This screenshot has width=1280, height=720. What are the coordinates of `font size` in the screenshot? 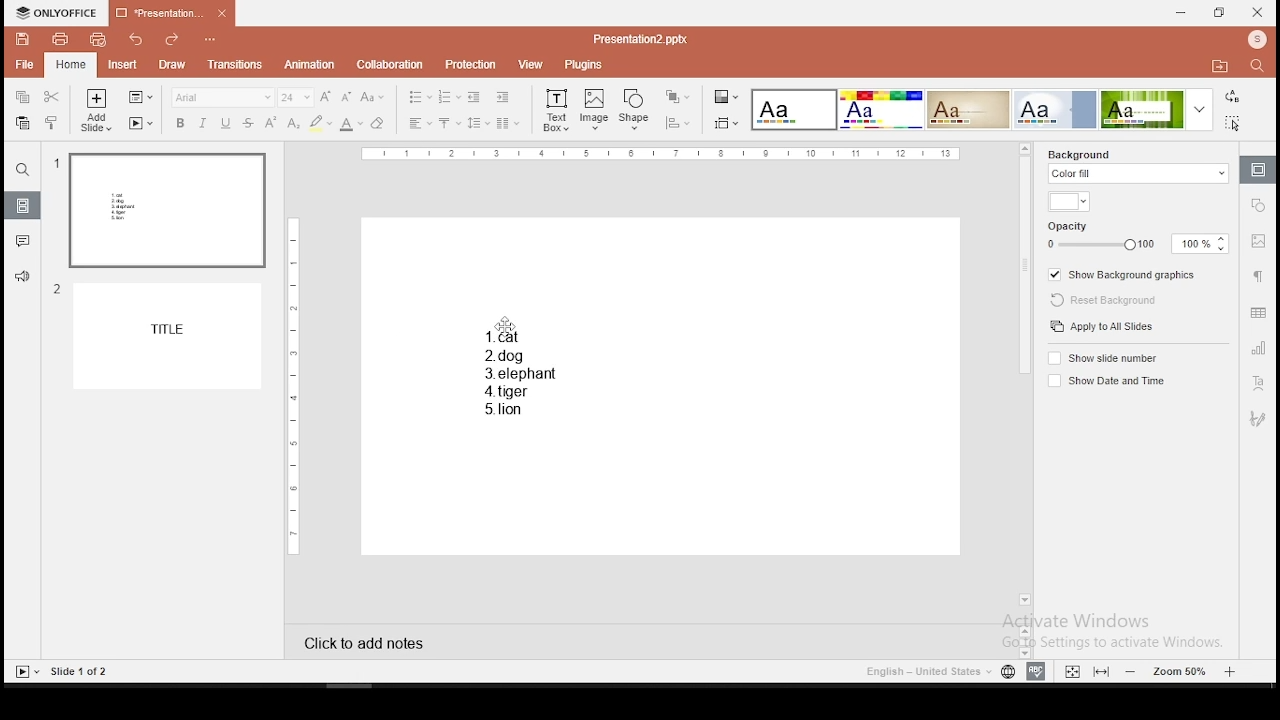 It's located at (296, 97).